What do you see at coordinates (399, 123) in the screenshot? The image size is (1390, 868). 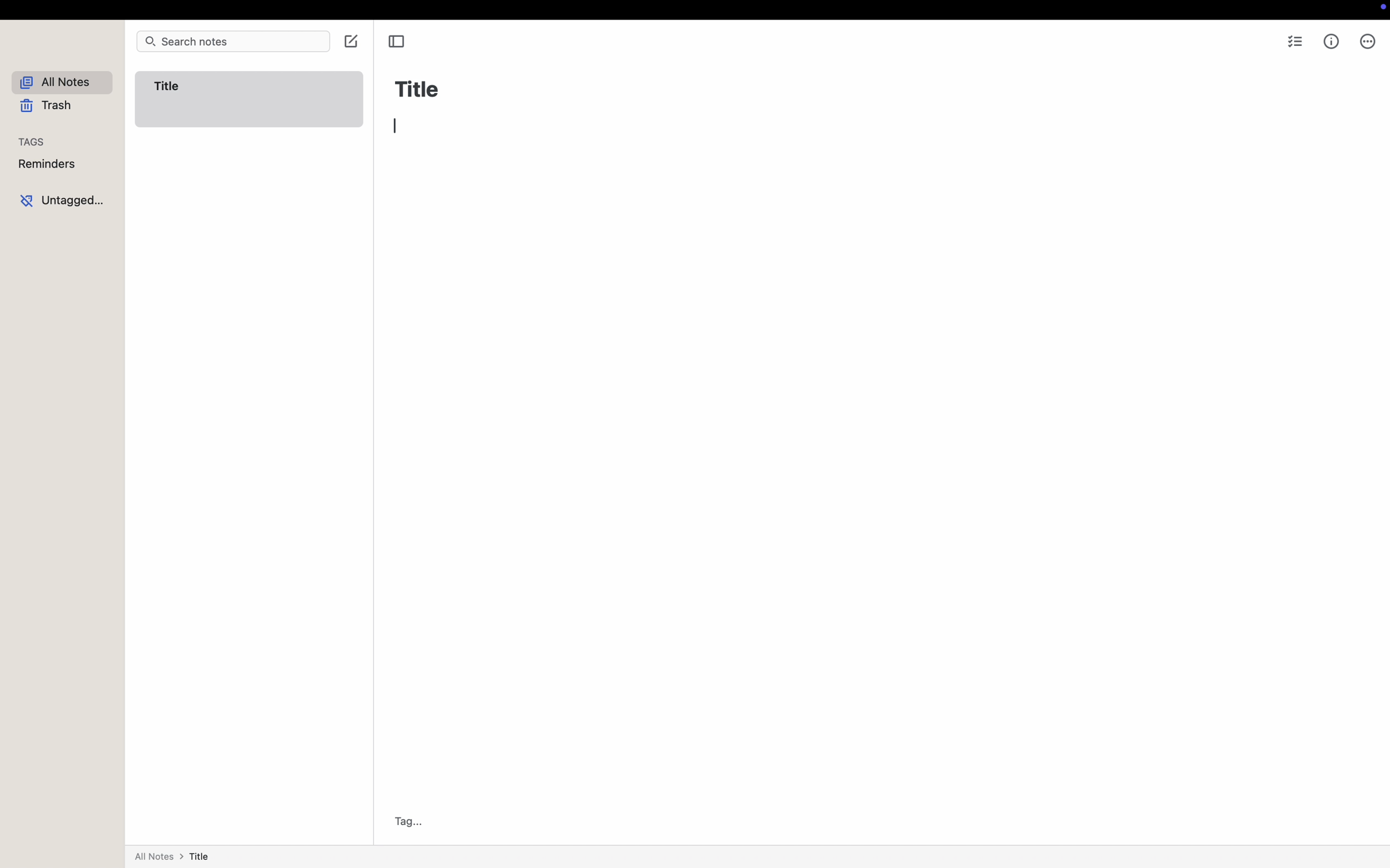 I see `Cursor : typing` at bounding box center [399, 123].